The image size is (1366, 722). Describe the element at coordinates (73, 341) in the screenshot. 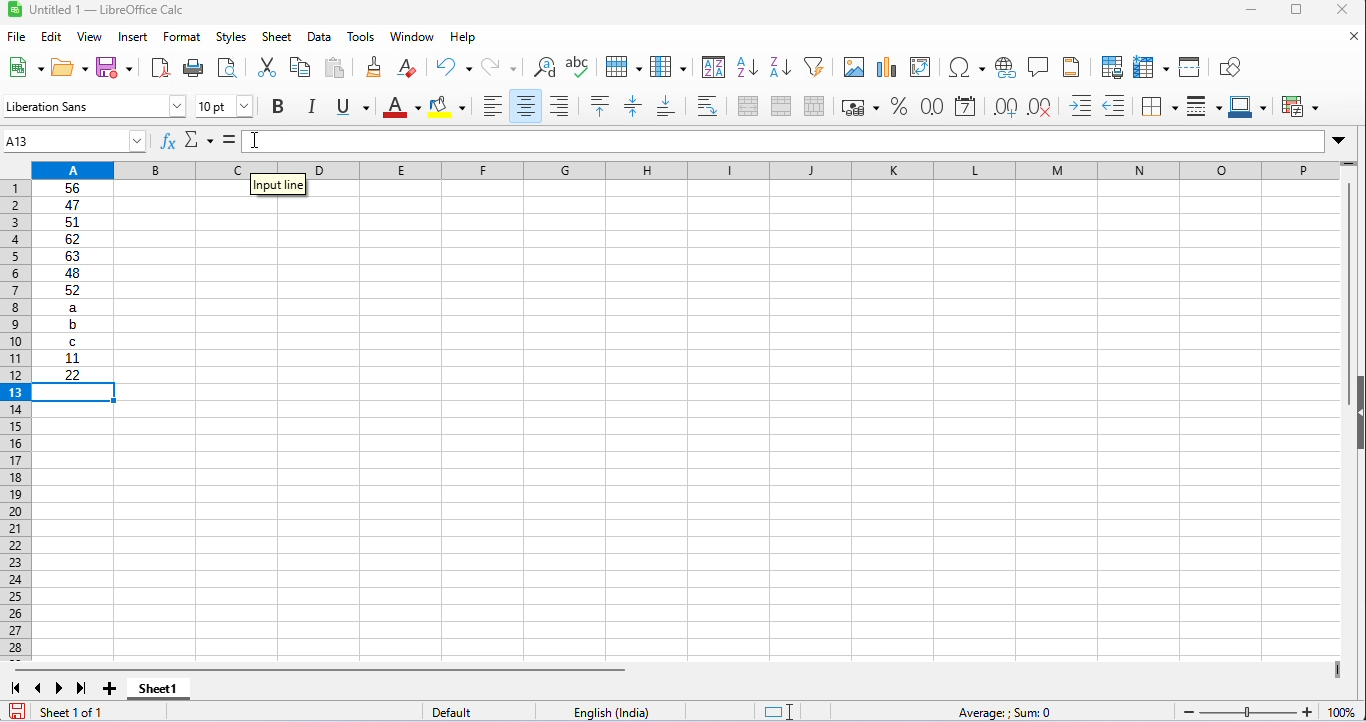

I see `C` at that location.